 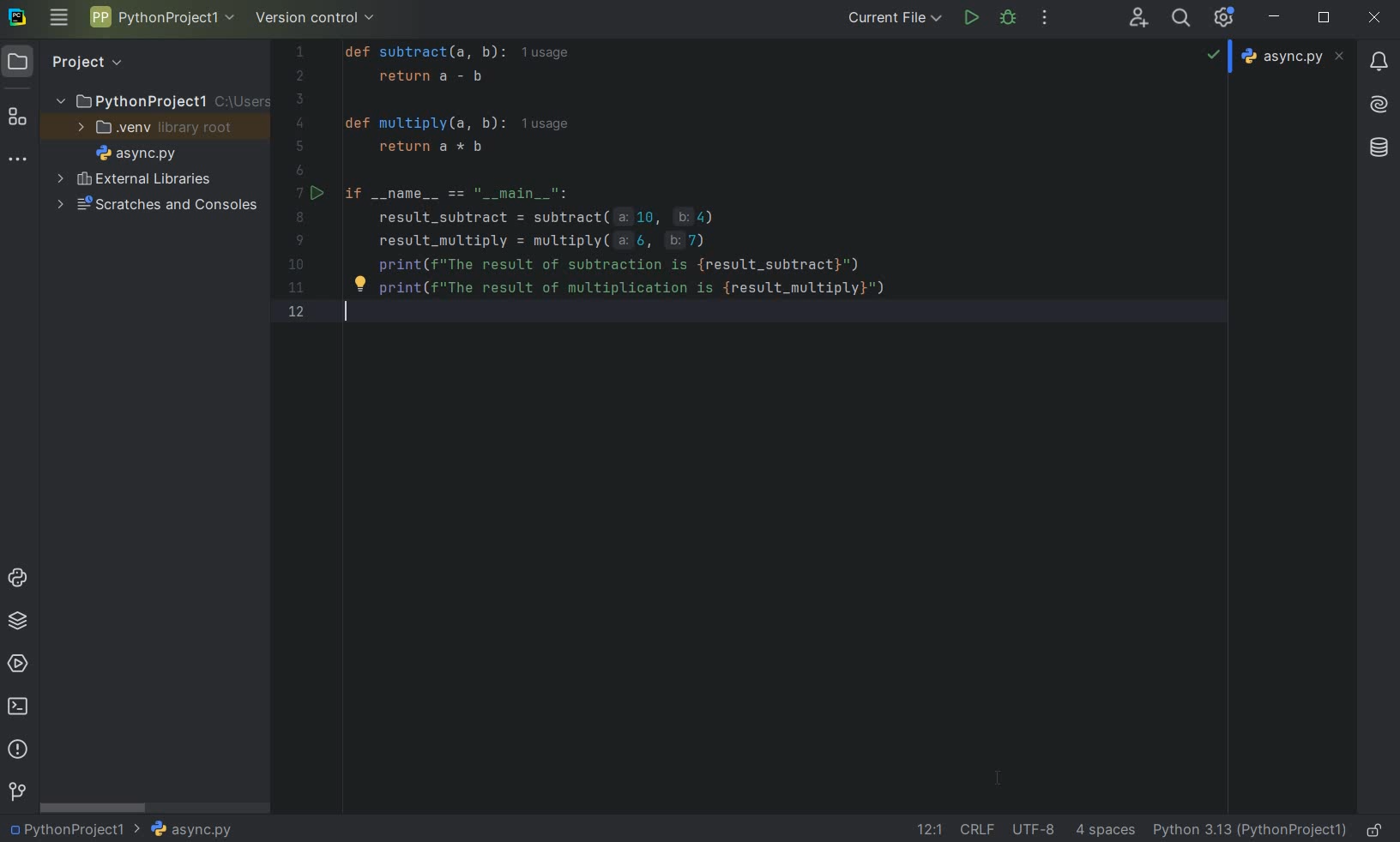 I want to click on python console, so click(x=21, y=579).